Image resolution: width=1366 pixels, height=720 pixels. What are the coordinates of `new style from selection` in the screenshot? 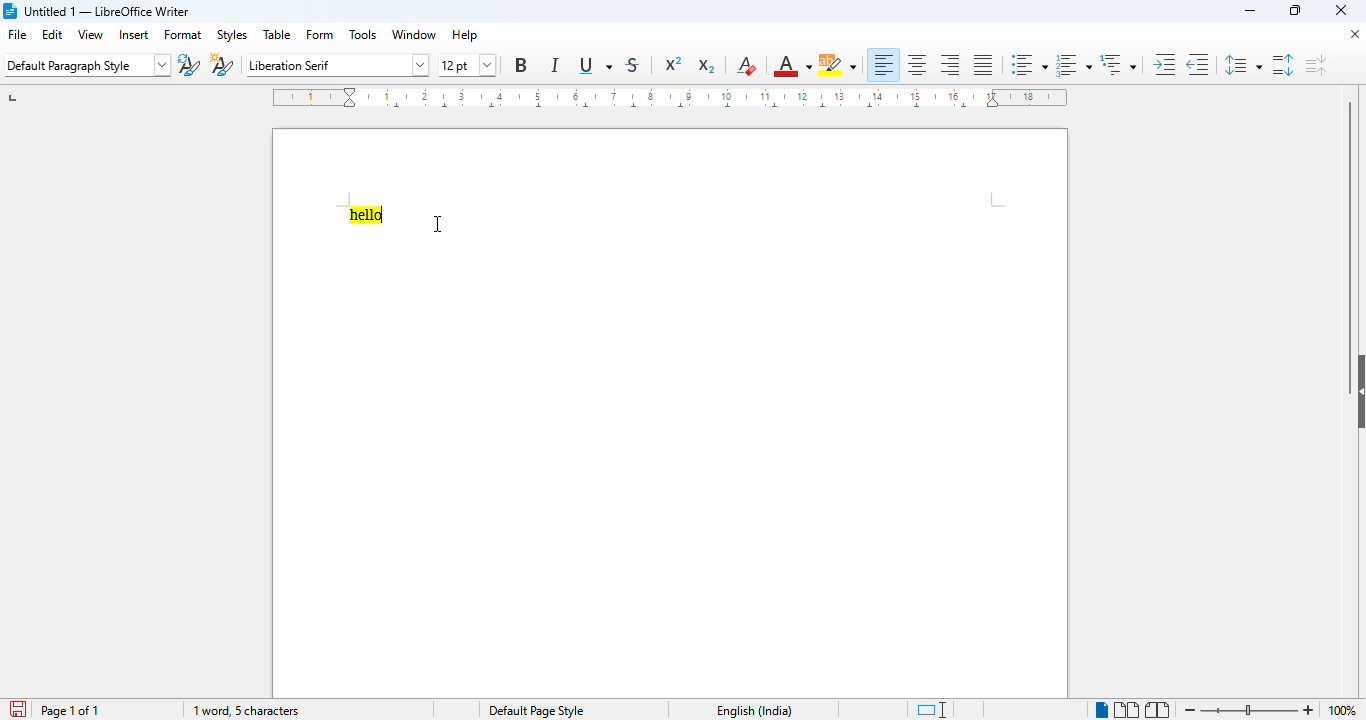 It's located at (221, 65).